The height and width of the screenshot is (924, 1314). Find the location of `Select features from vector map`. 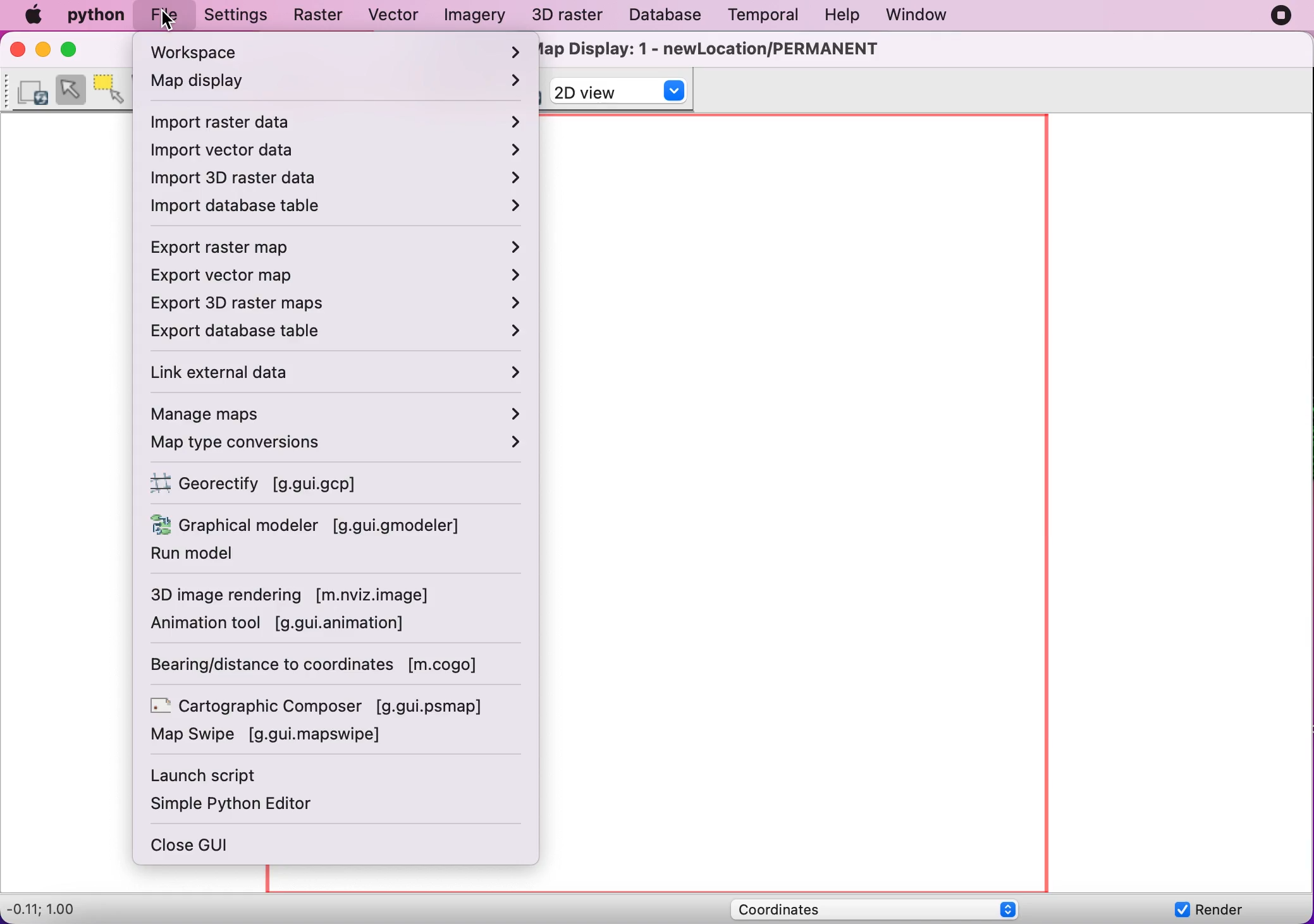

Select features from vector map is located at coordinates (71, 88).